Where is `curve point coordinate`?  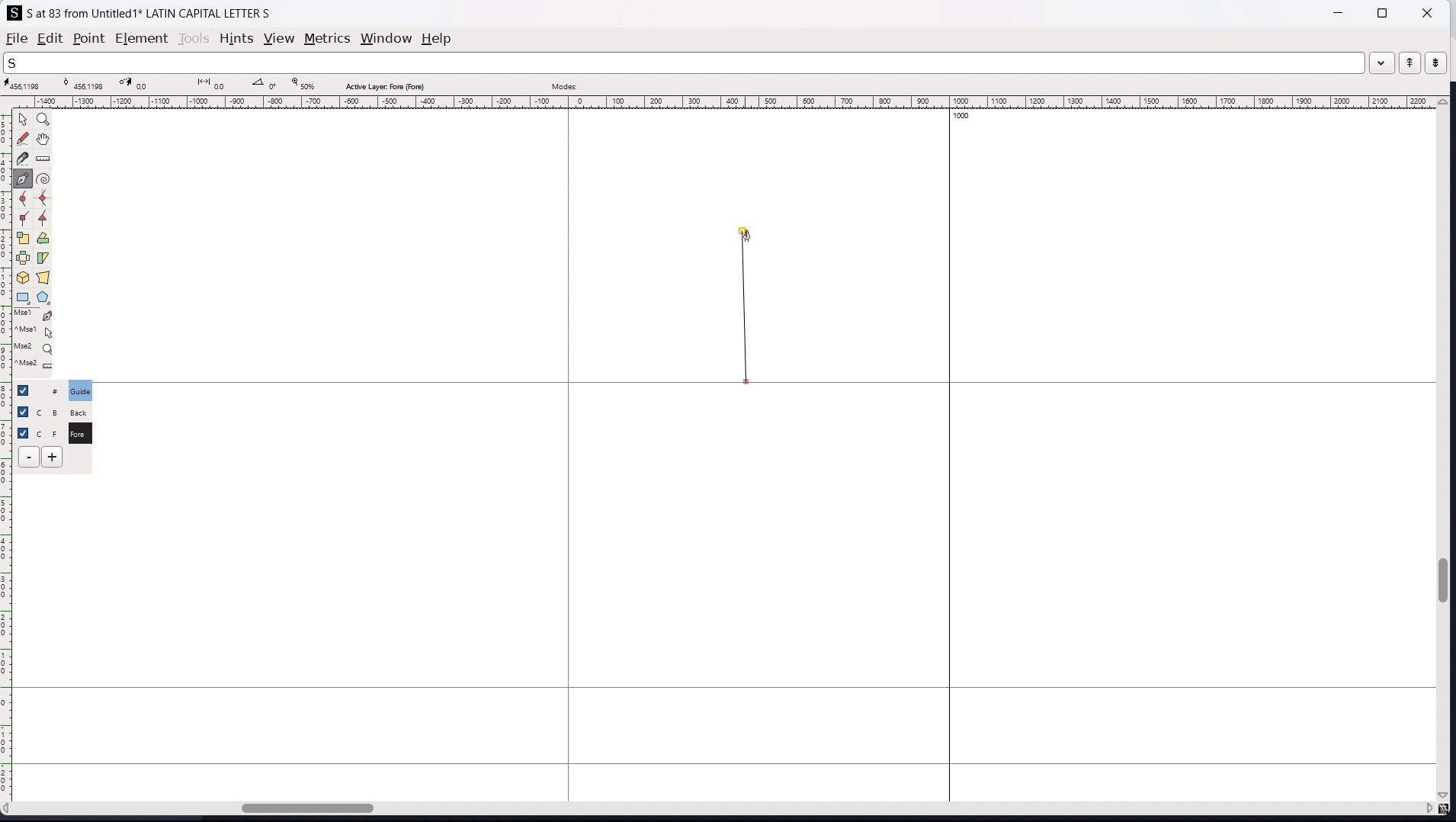 curve point coordinate is located at coordinates (86, 84).